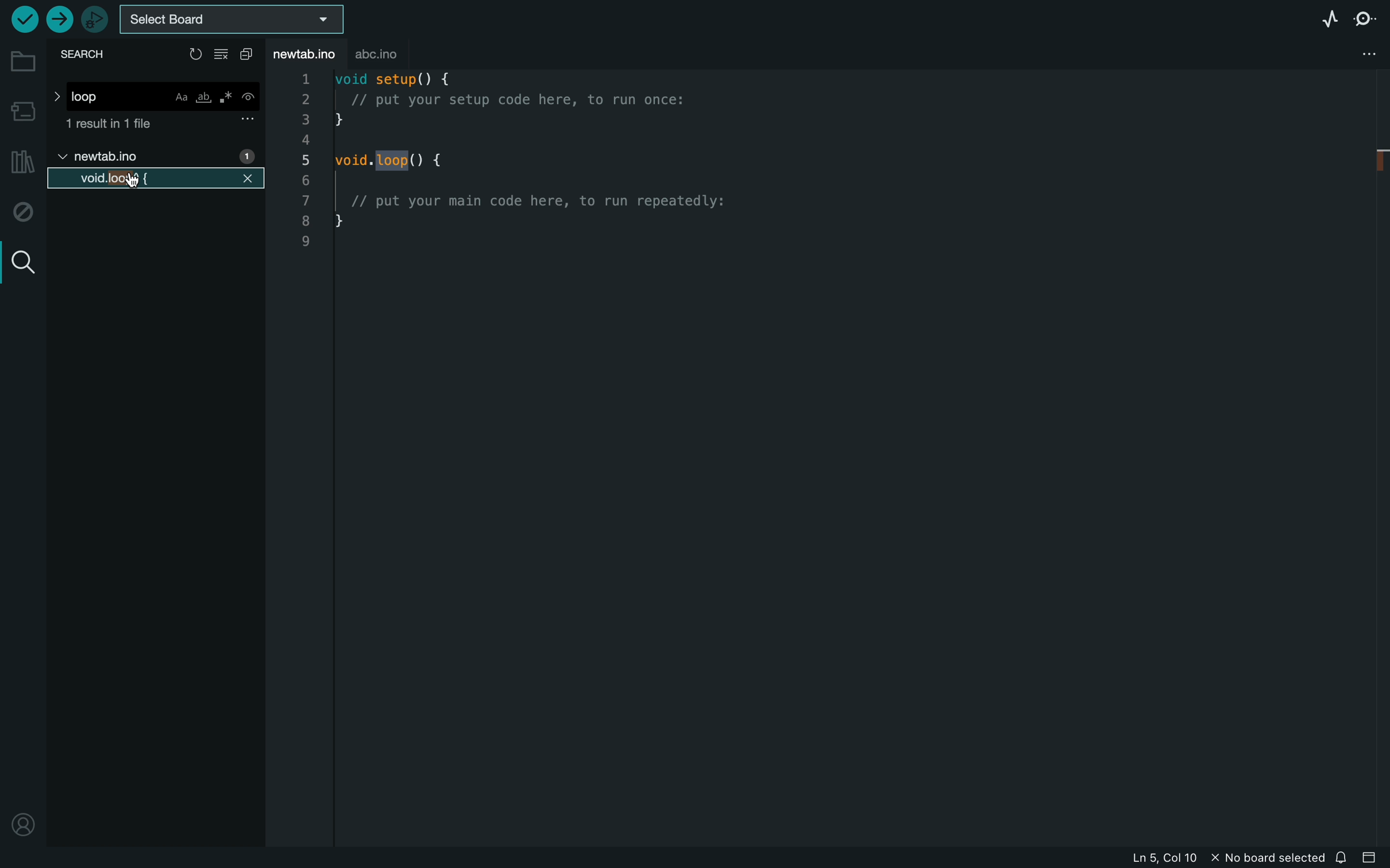 This screenshot has height=868, width=1390. I want to click on file information, so click(1212, 859).